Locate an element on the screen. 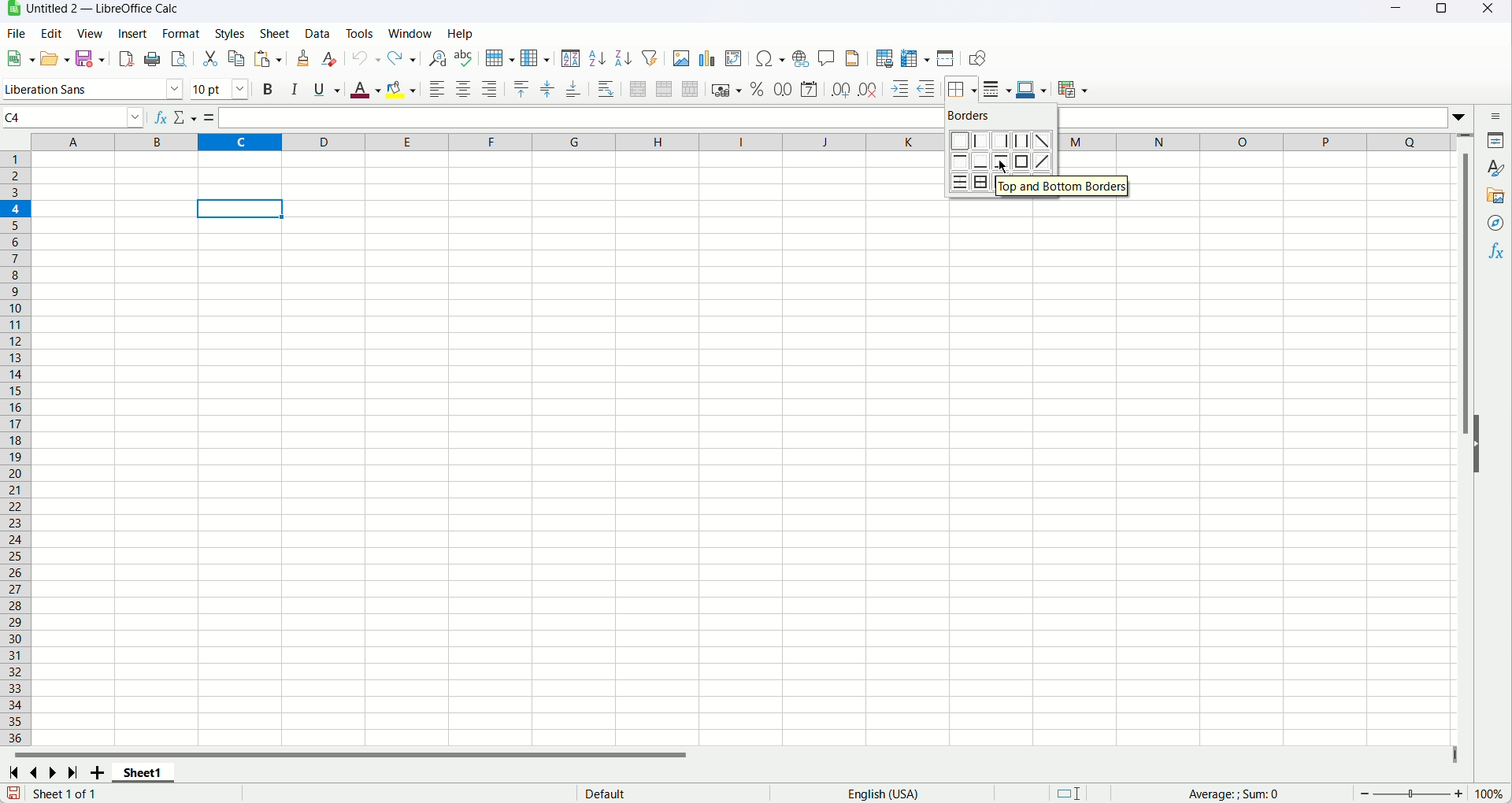  Bold is located at coordinates (266, 91).